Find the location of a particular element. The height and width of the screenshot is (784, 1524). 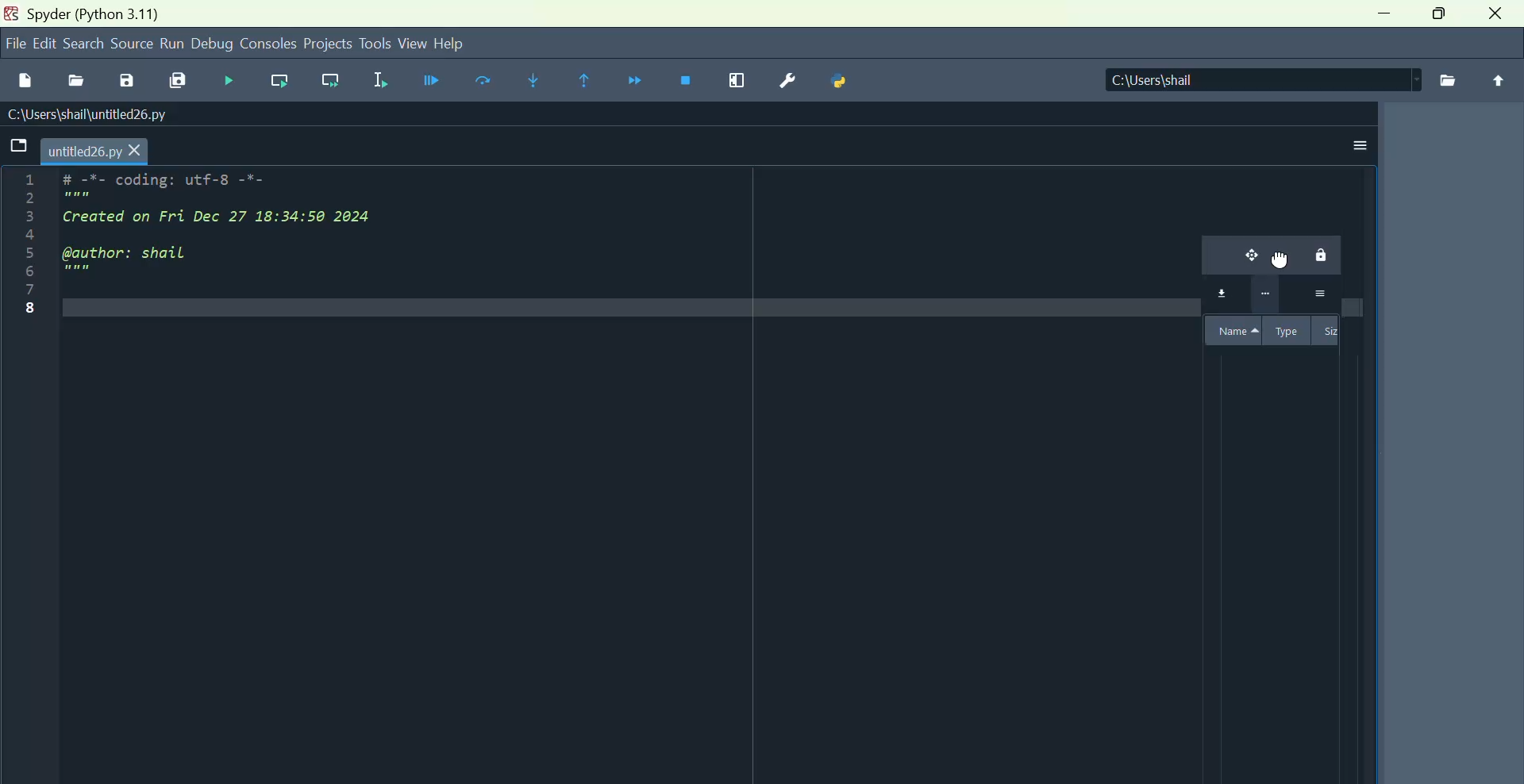

Folders is located at coordinates (16, 148).